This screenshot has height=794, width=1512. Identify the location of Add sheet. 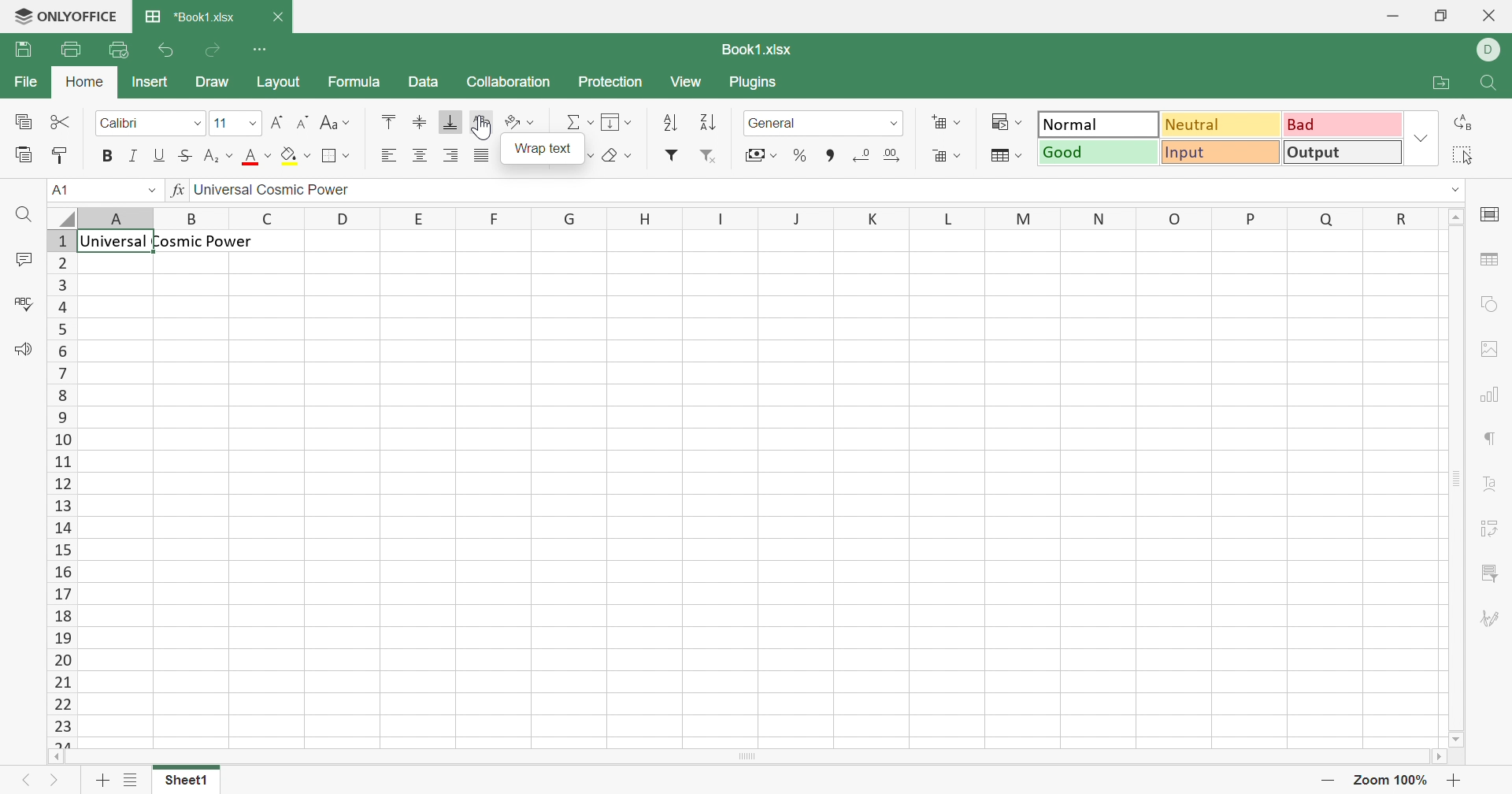
(102, 781).